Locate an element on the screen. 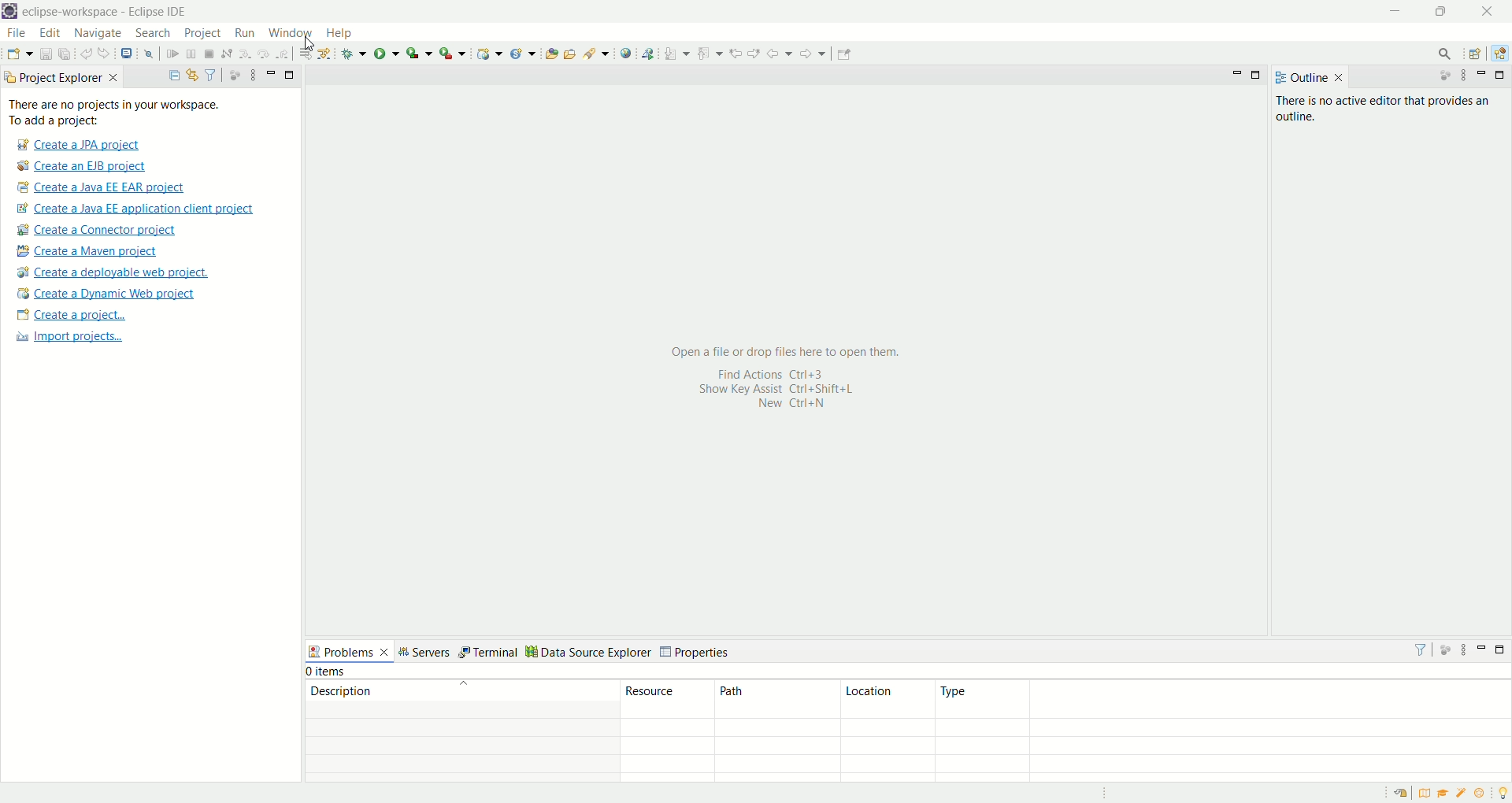 This screenshot has height=803, width=1512. forward is located at coordinates (813, 52).